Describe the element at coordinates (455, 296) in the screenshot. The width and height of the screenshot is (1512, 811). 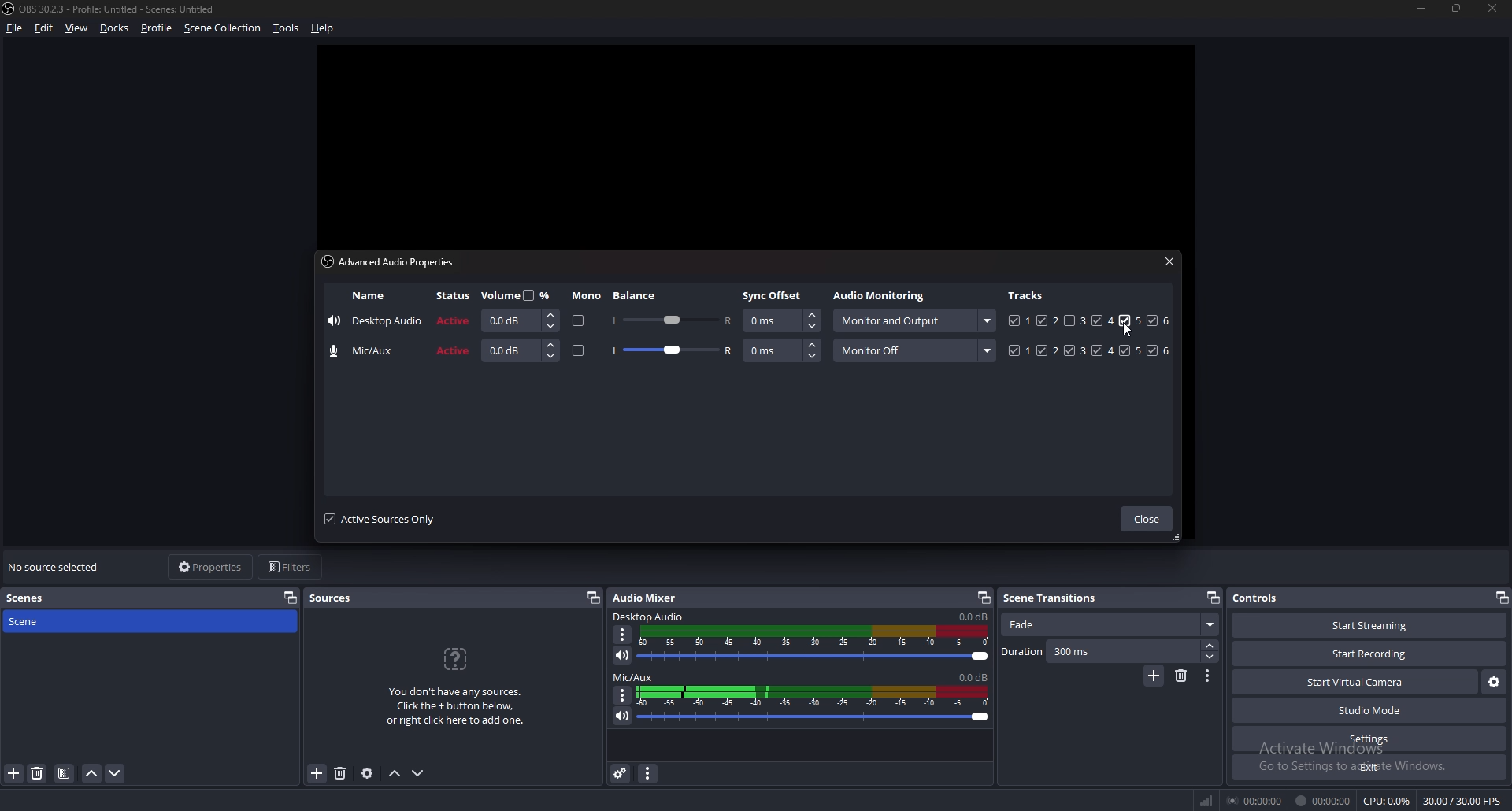
I see `stuatus` at that location.